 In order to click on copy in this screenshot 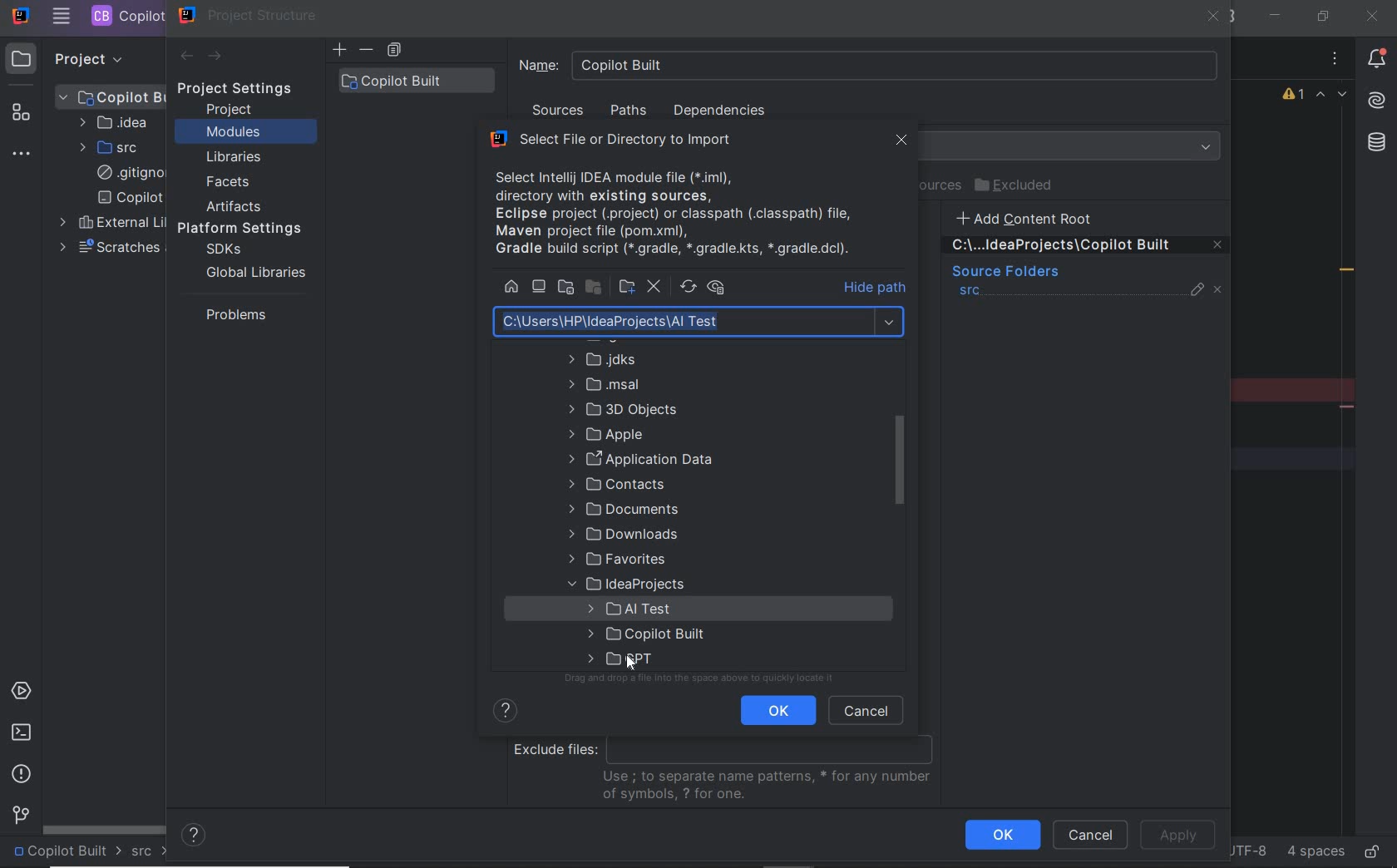, I will do `click(394, 51)`.